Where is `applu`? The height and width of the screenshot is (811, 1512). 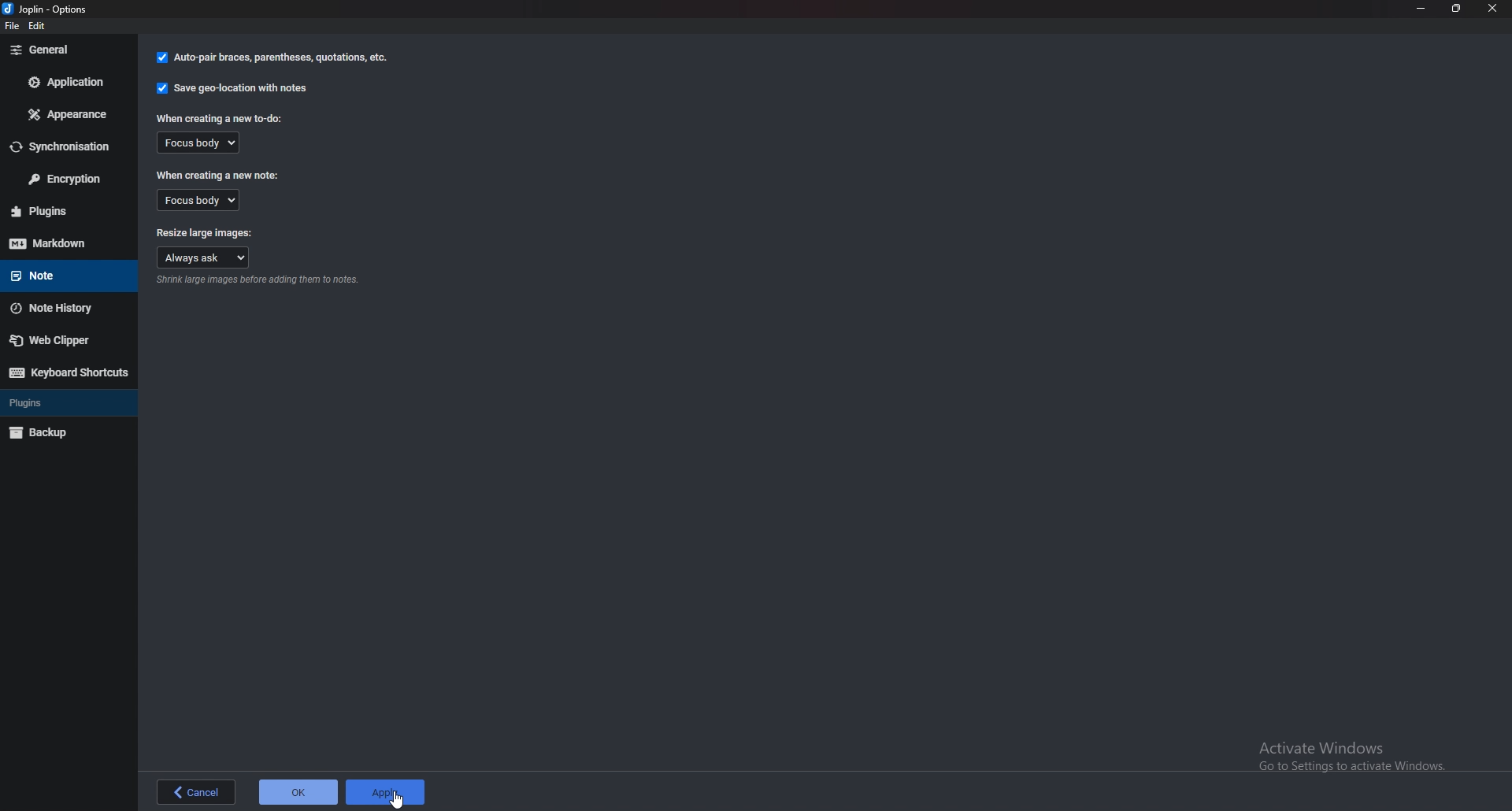
applu is located at coordinates (384, 791).